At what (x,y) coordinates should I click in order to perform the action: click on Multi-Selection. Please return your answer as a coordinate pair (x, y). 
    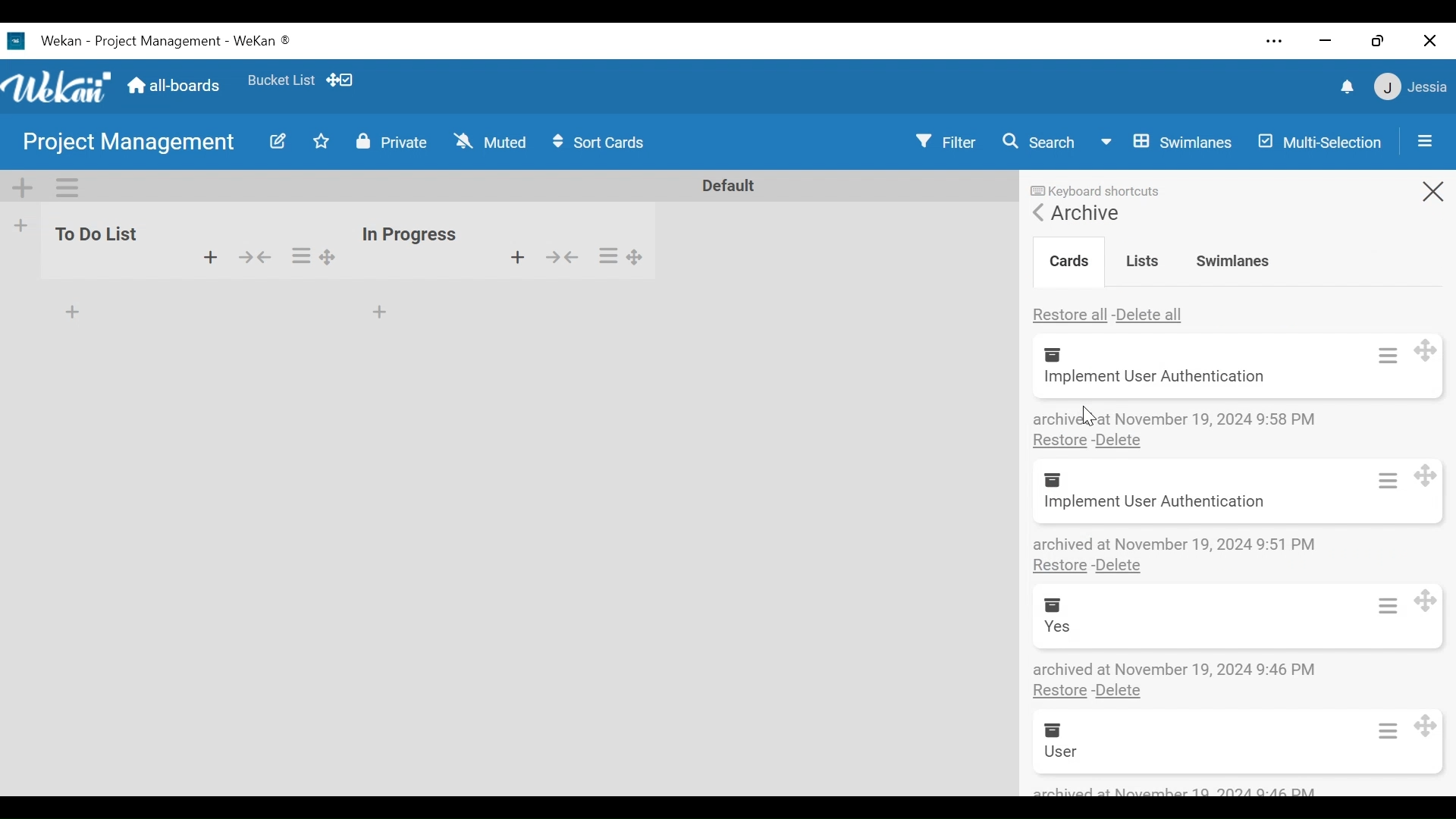
    Looking at the image, I should click on (1319, 141).